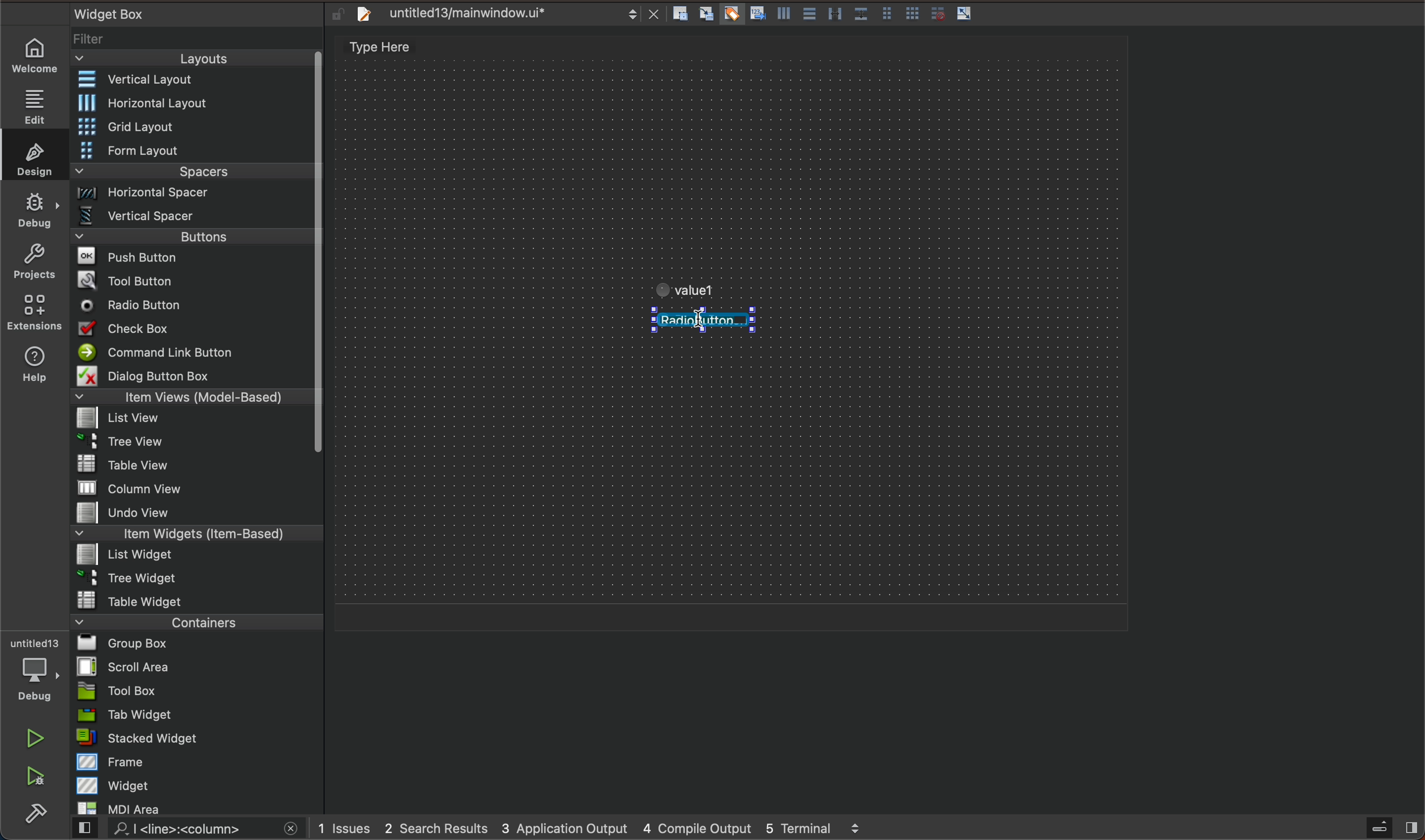 Image resolution: width=1425 pixels, height=840 pixels. I want to click on design, so click(31, 155).